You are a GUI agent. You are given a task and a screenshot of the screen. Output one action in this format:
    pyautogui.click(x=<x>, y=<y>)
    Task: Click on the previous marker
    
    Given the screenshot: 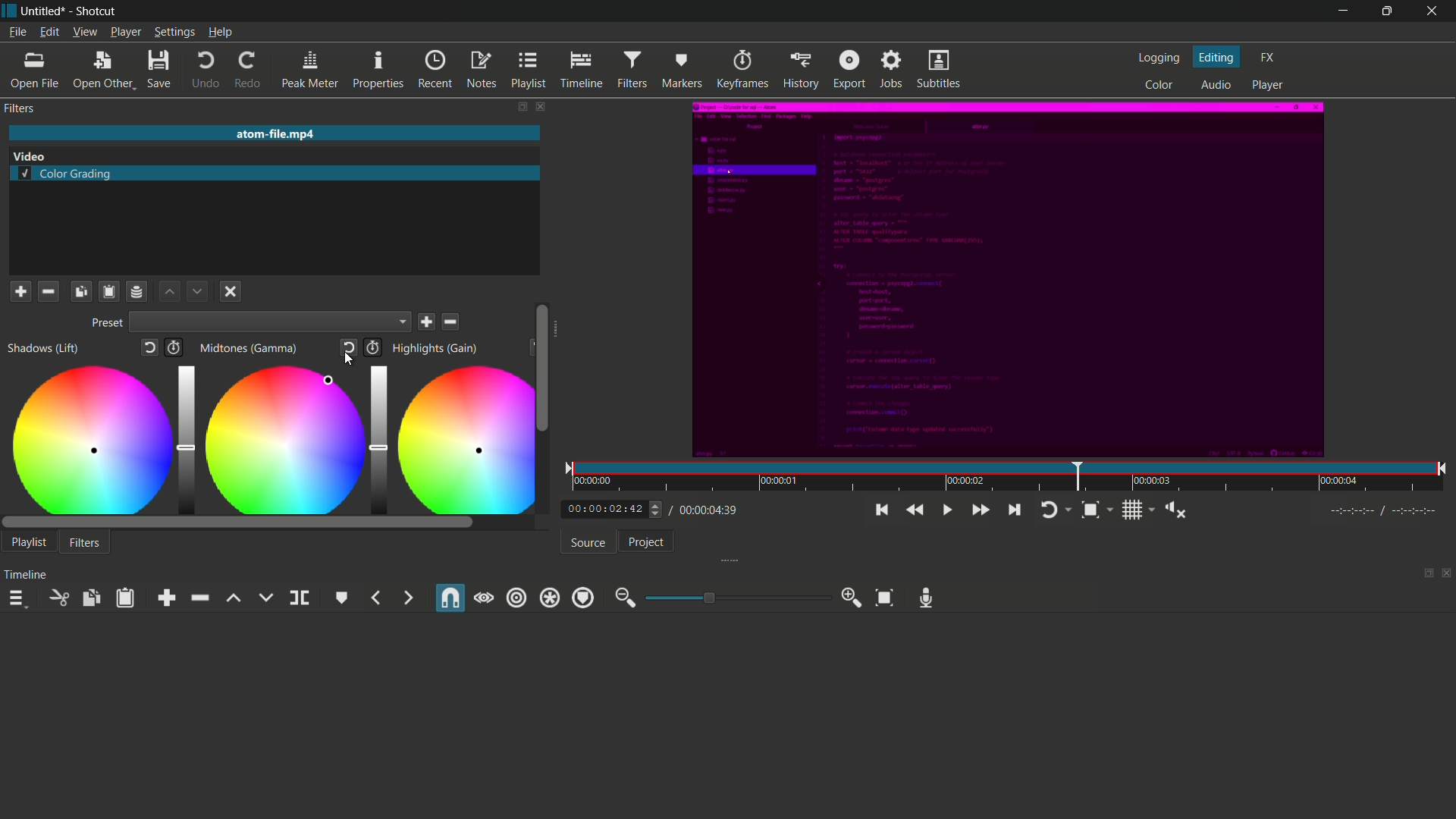 What is the action you would take?
    pyautogui.click(x=377, y=598)
    